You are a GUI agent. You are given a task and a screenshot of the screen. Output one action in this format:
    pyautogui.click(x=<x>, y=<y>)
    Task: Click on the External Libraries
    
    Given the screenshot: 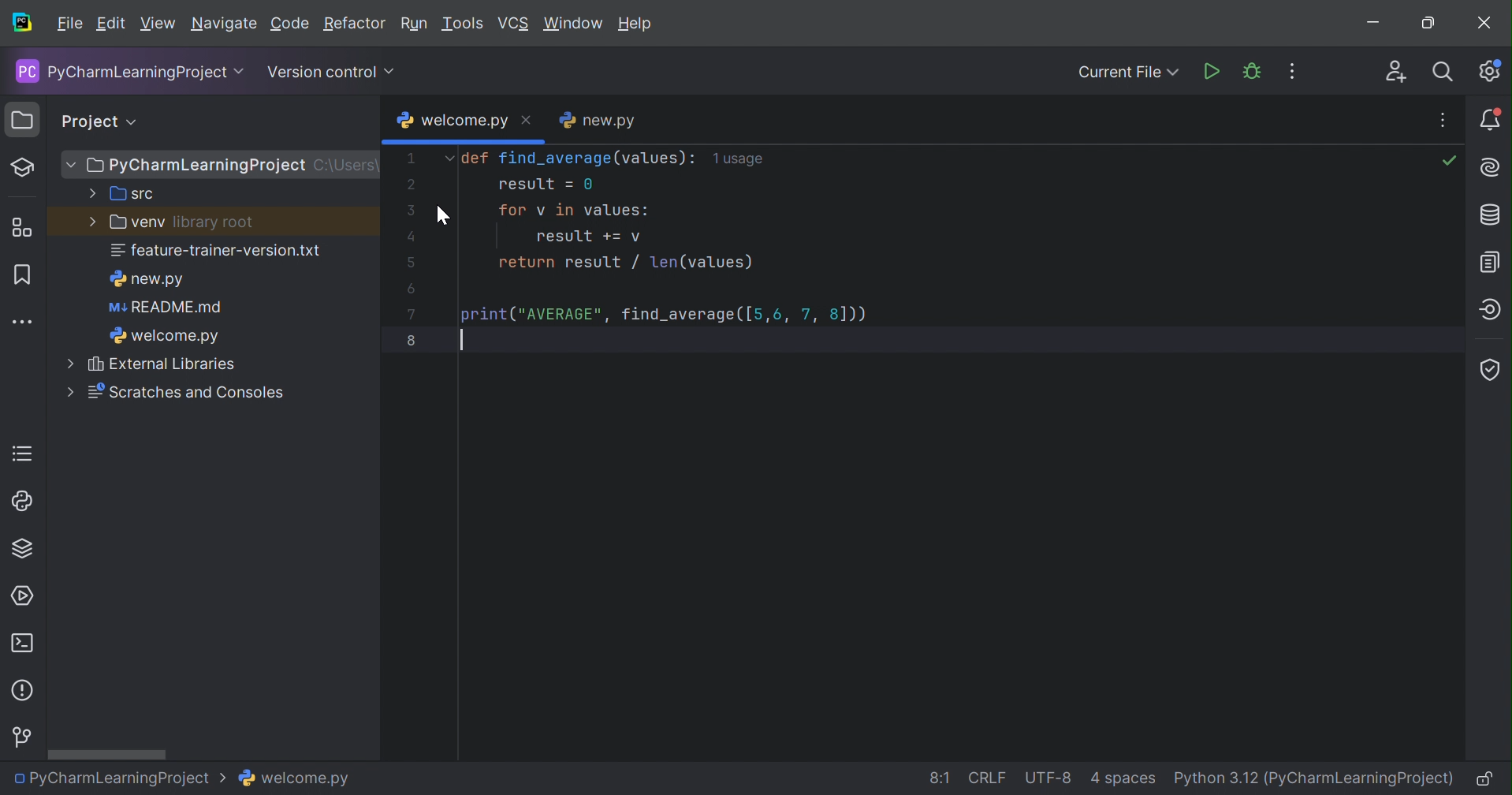 What is the action you would take?
    pyautogui.click(x=157, y=366)
    